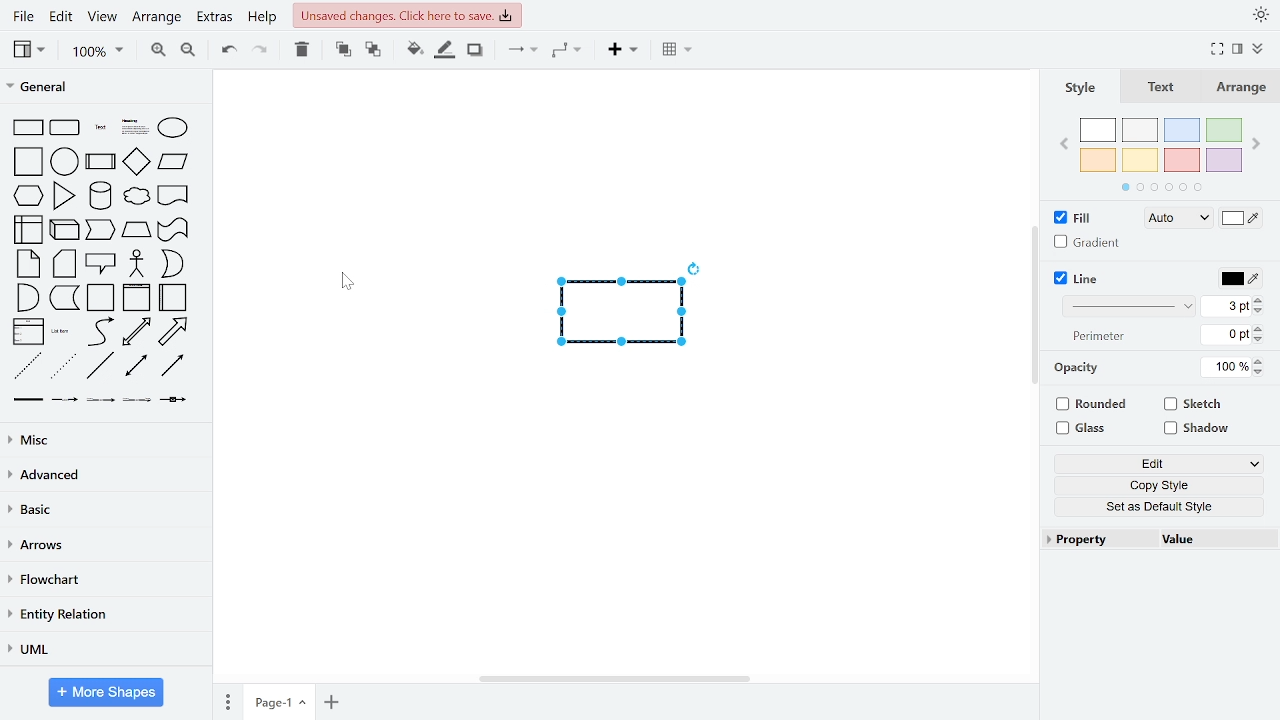  Describe the element at coordinates (1261, 14) in the screenshot. I see `theme` at that location.